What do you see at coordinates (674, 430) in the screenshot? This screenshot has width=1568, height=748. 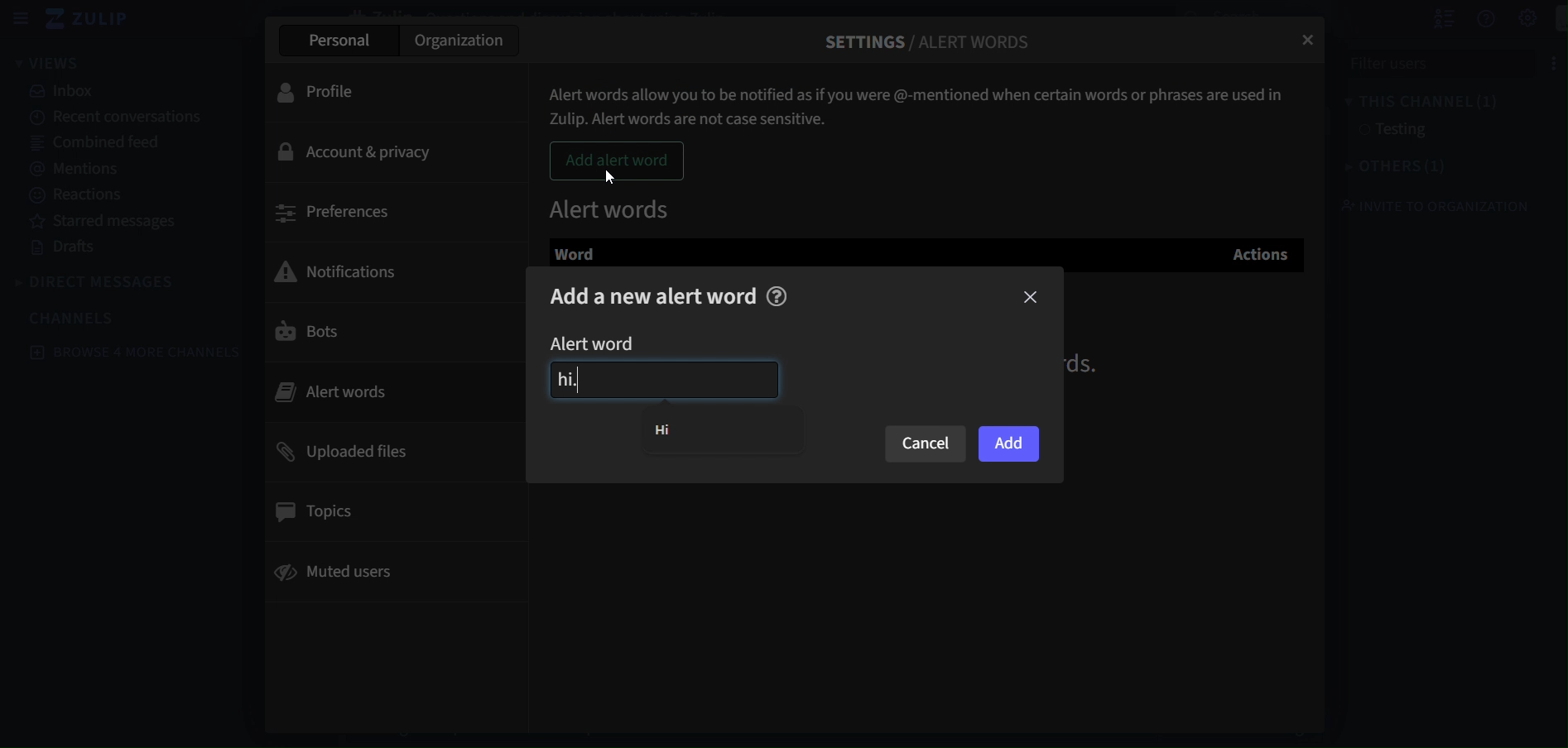 I see `hi` at bounding box center [674, 430].